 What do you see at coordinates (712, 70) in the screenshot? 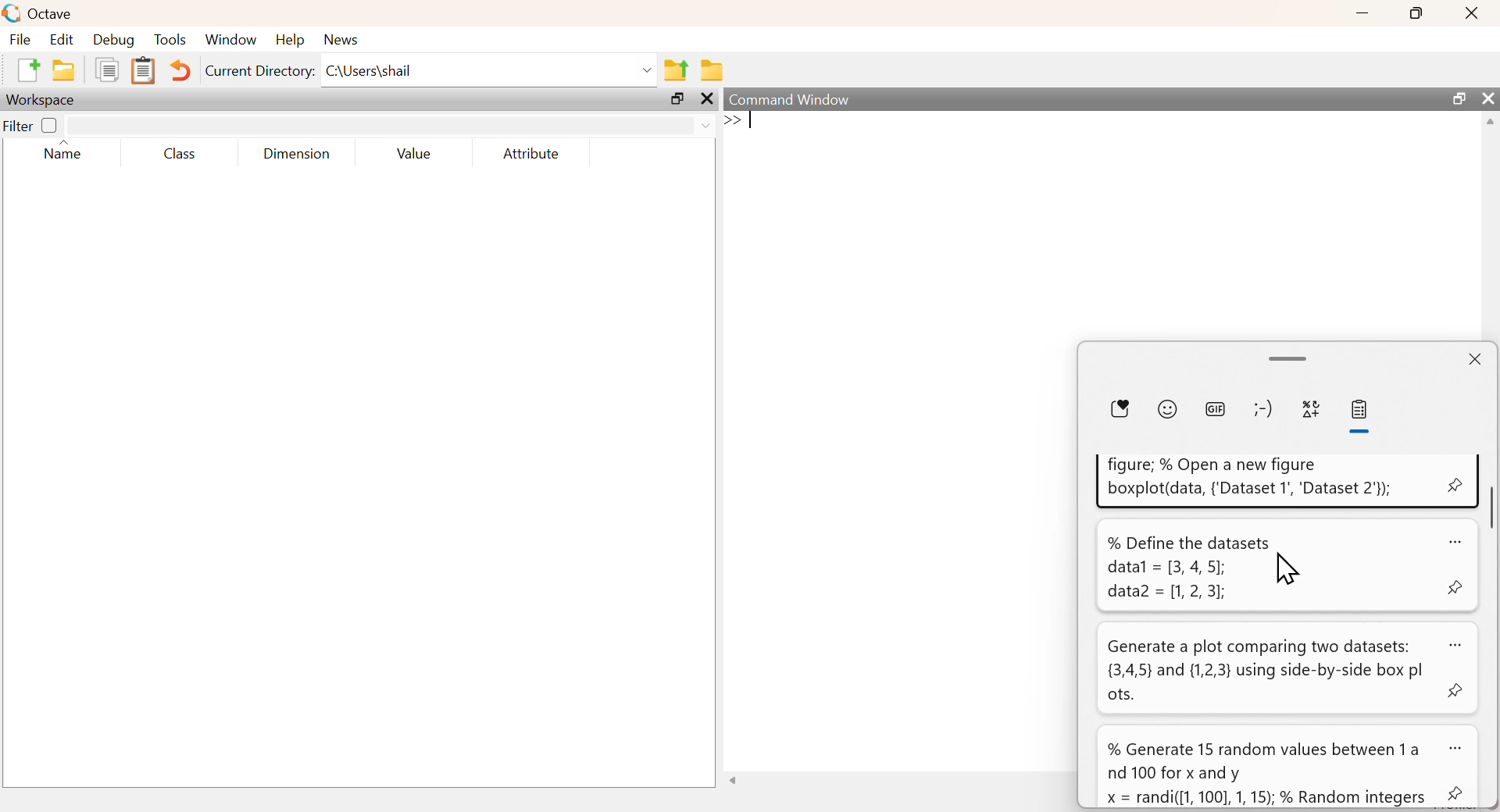
I see `Folder` at bounding box center [712, 70].